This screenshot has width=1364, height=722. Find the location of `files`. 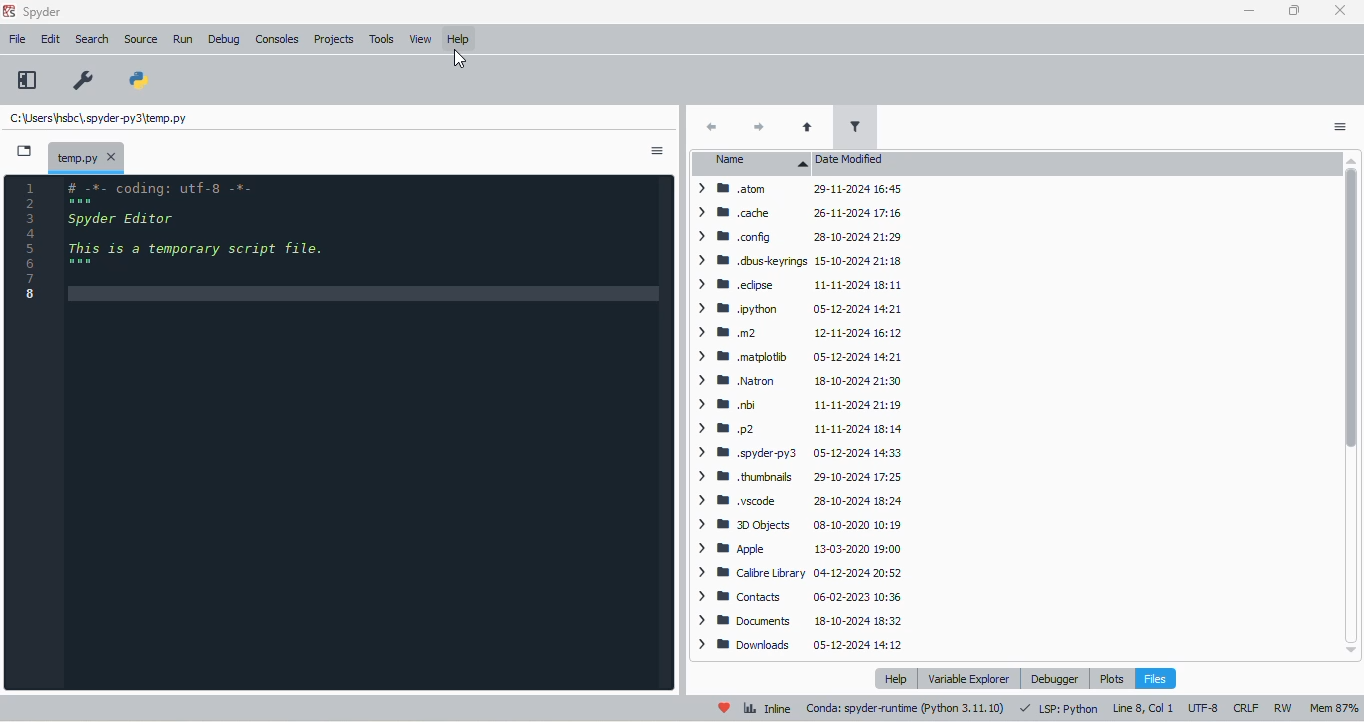

files is located at coordinates (1156, 679).